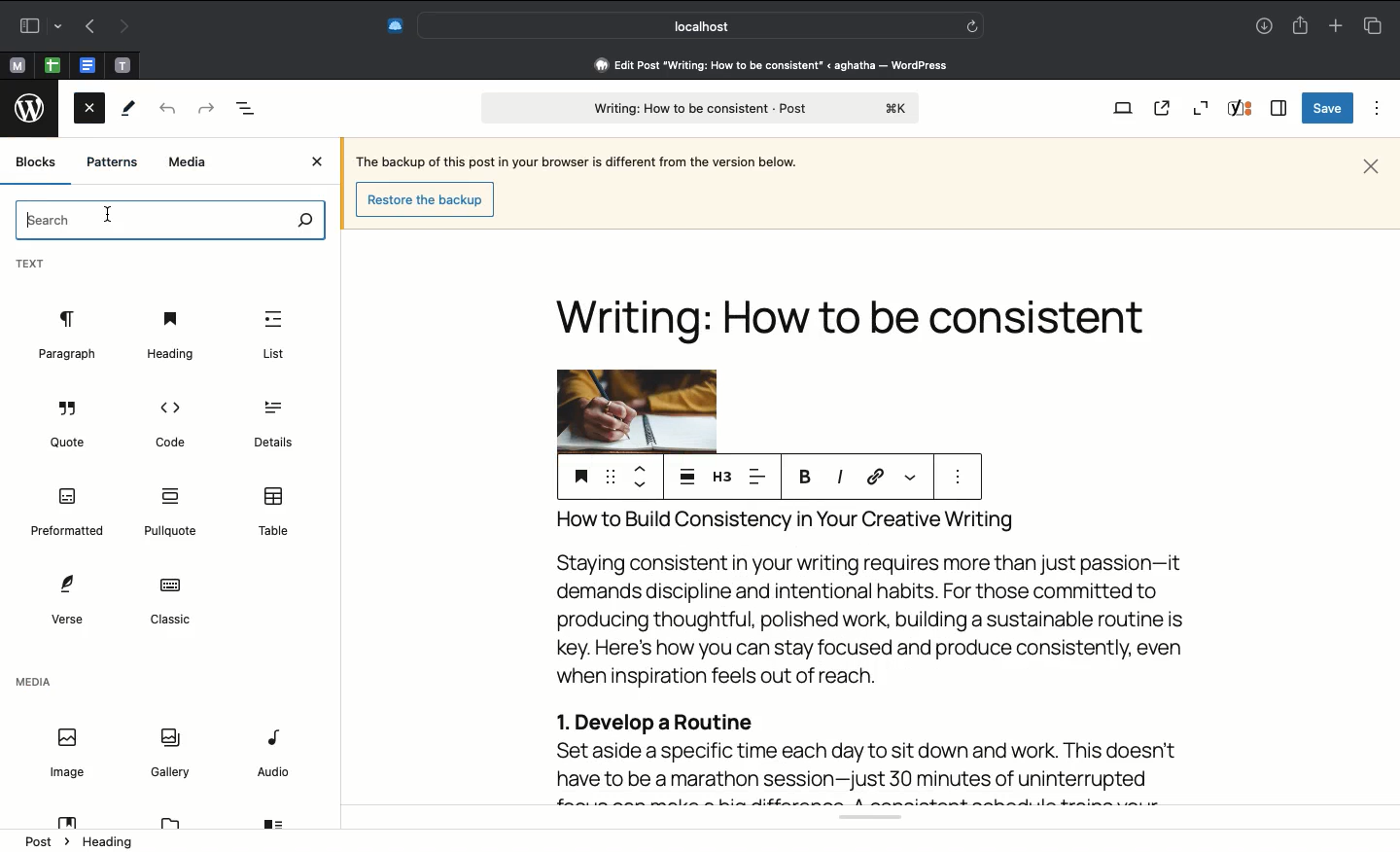 This screenshot has width=1400, height=852. Describe the element at coordinates (169, 602) in the screenshot. I see `Classic` at that location.